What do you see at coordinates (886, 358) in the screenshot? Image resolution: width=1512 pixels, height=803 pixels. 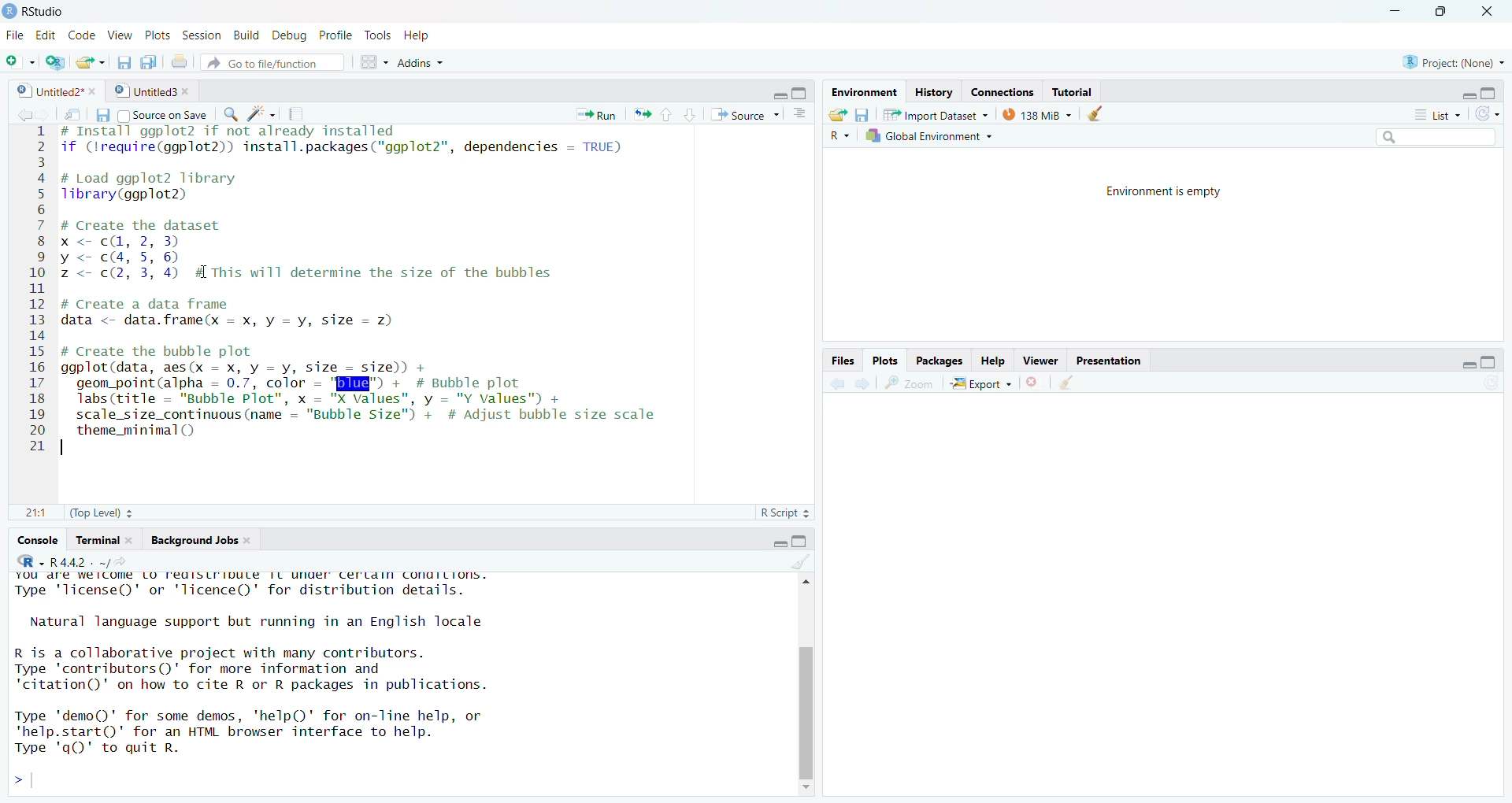 I see `Plots` at bounding box center [886, 358].